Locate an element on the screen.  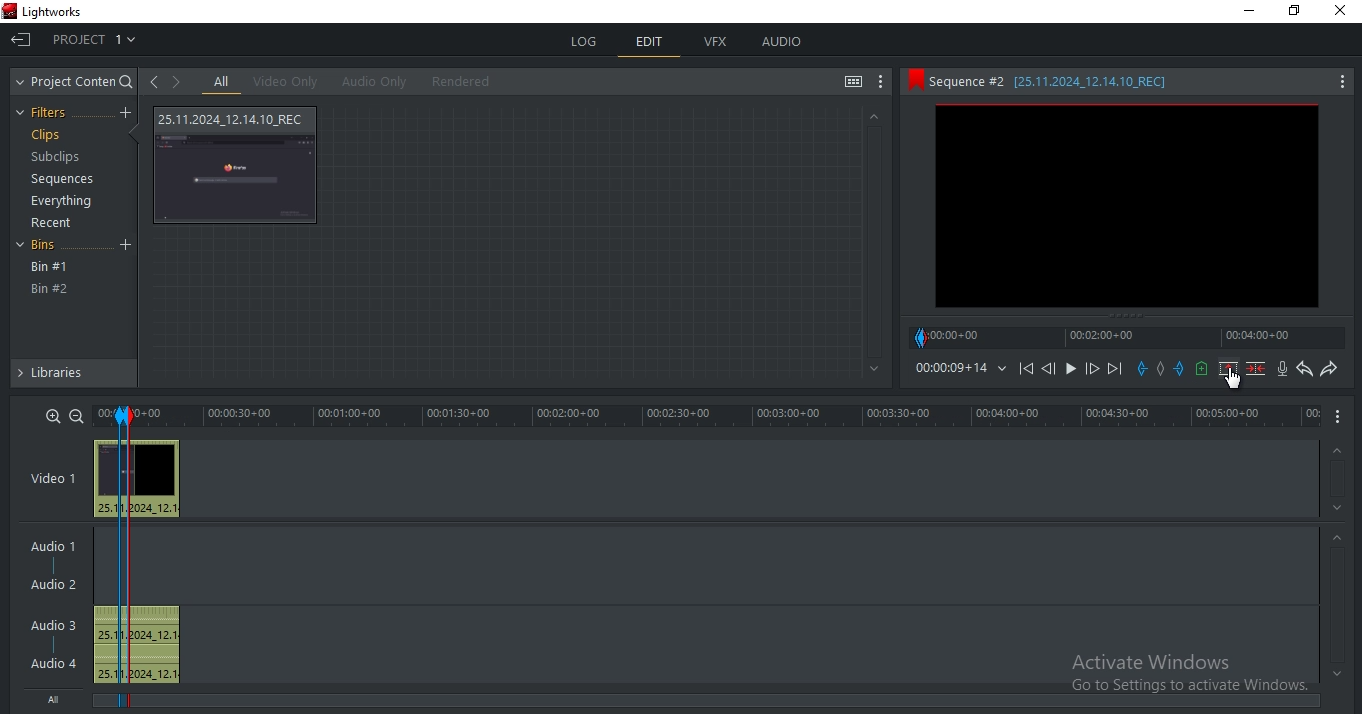
audio is located at coordinates (141, 644).